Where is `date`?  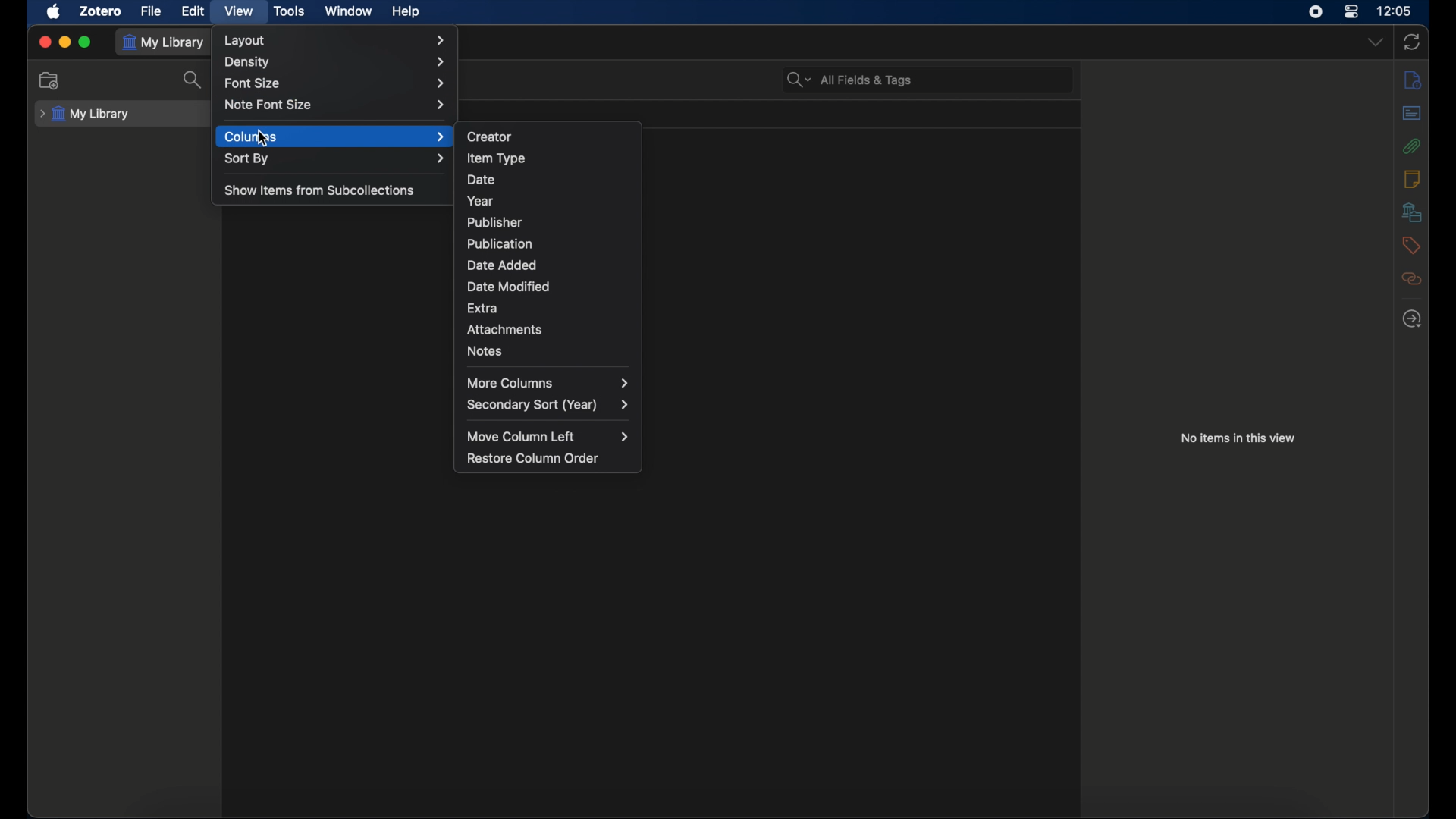 date is located at coordinates (481, 179).